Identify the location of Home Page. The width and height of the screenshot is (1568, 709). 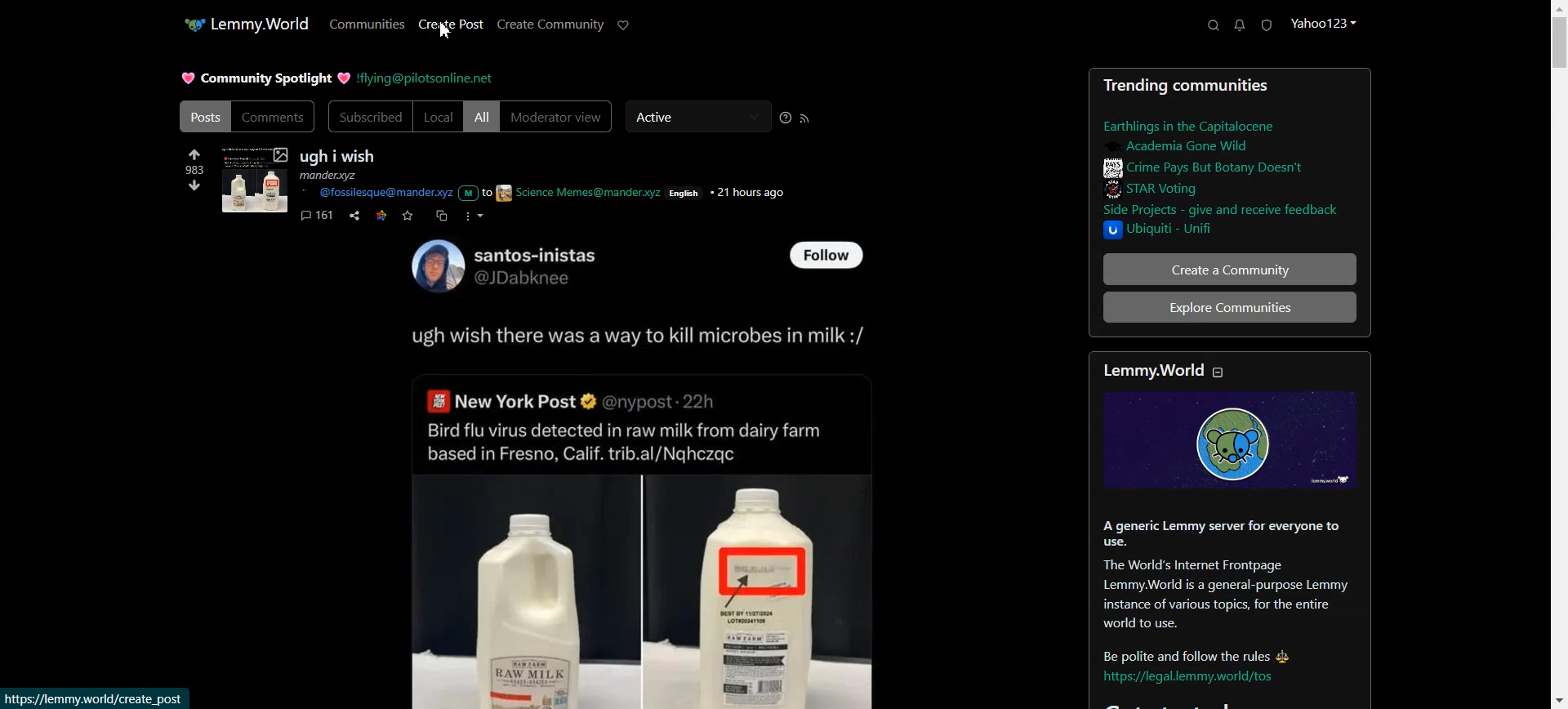
(246, 25).